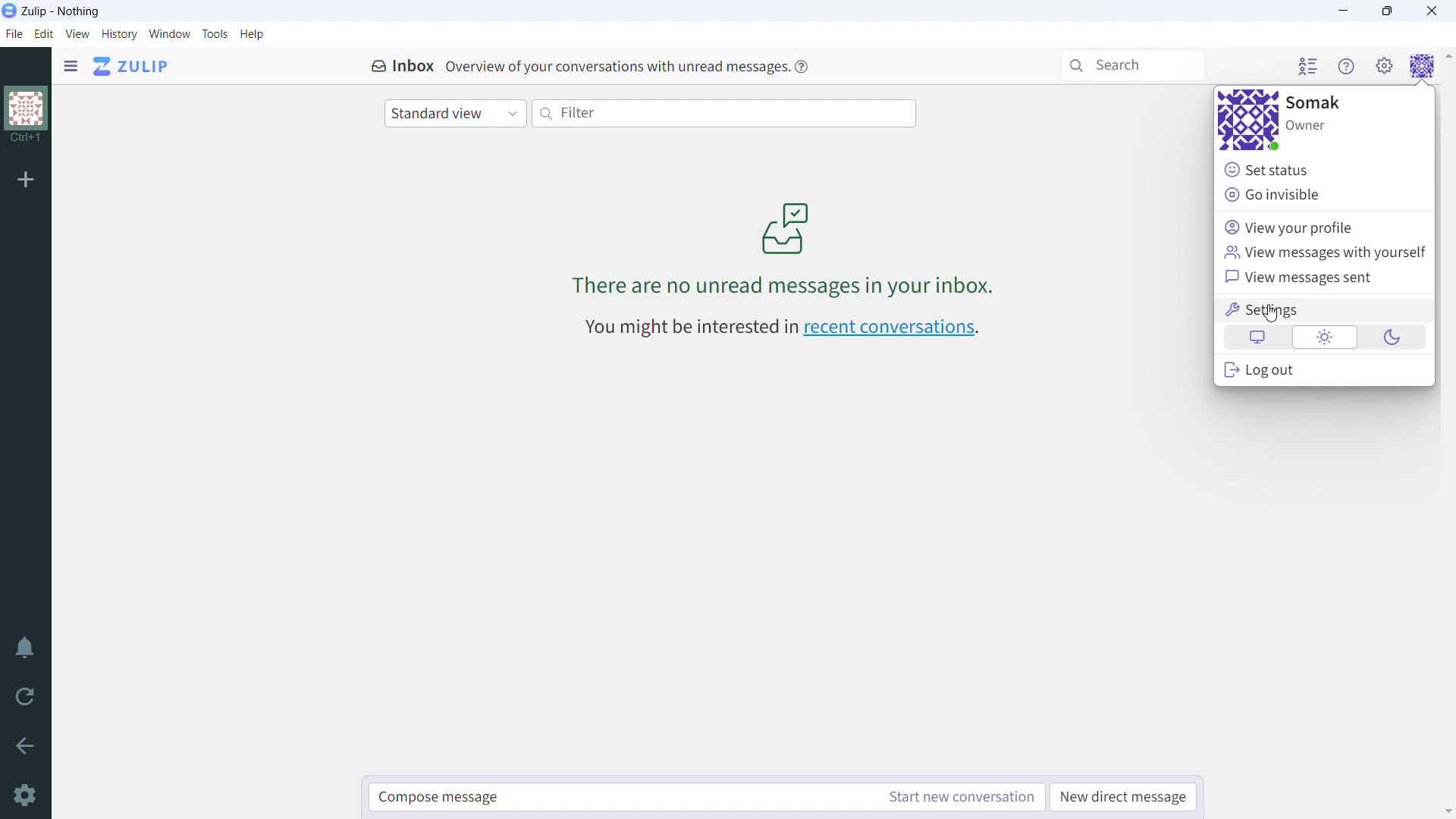  Describe the element at coordinates (132, 65) in the screenshot. I see `click to go home view (inbox)` at that location.